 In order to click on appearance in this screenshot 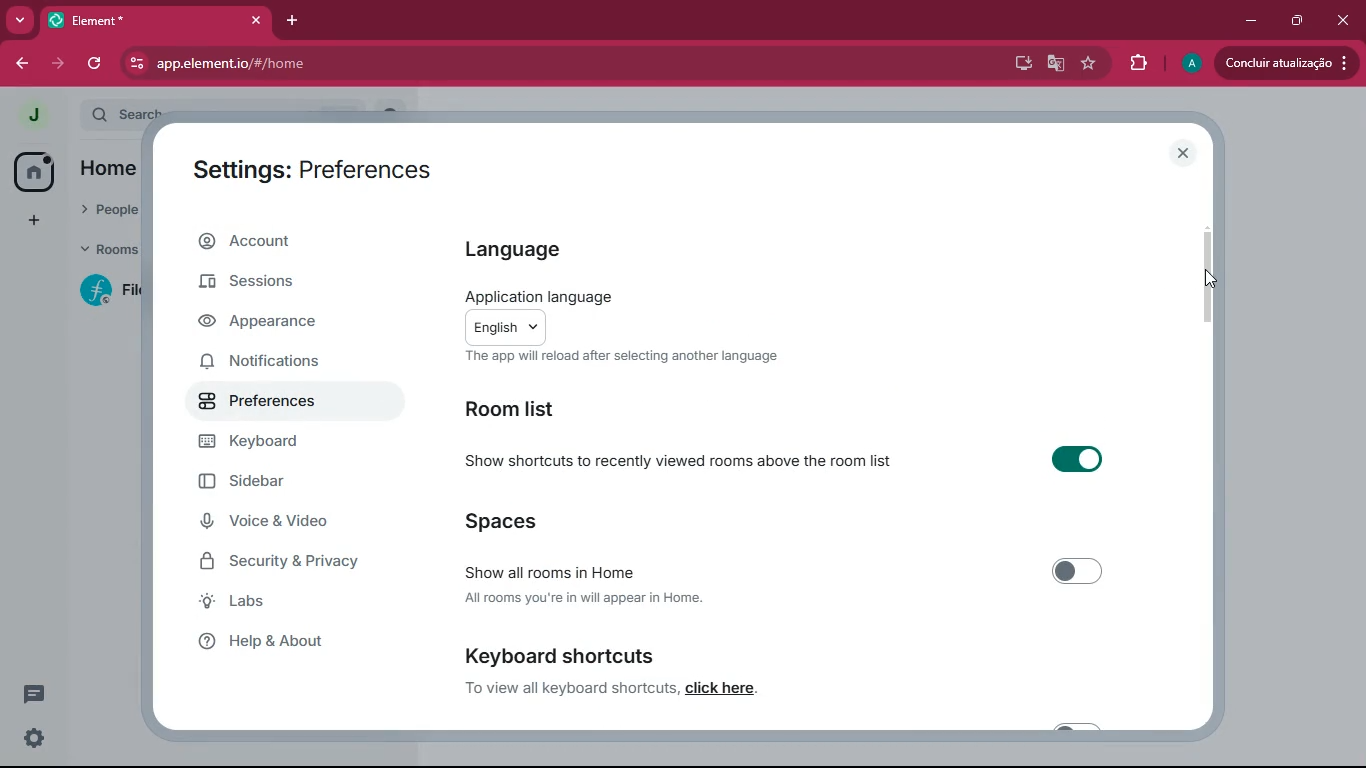, I will do `click(271, 325)`.